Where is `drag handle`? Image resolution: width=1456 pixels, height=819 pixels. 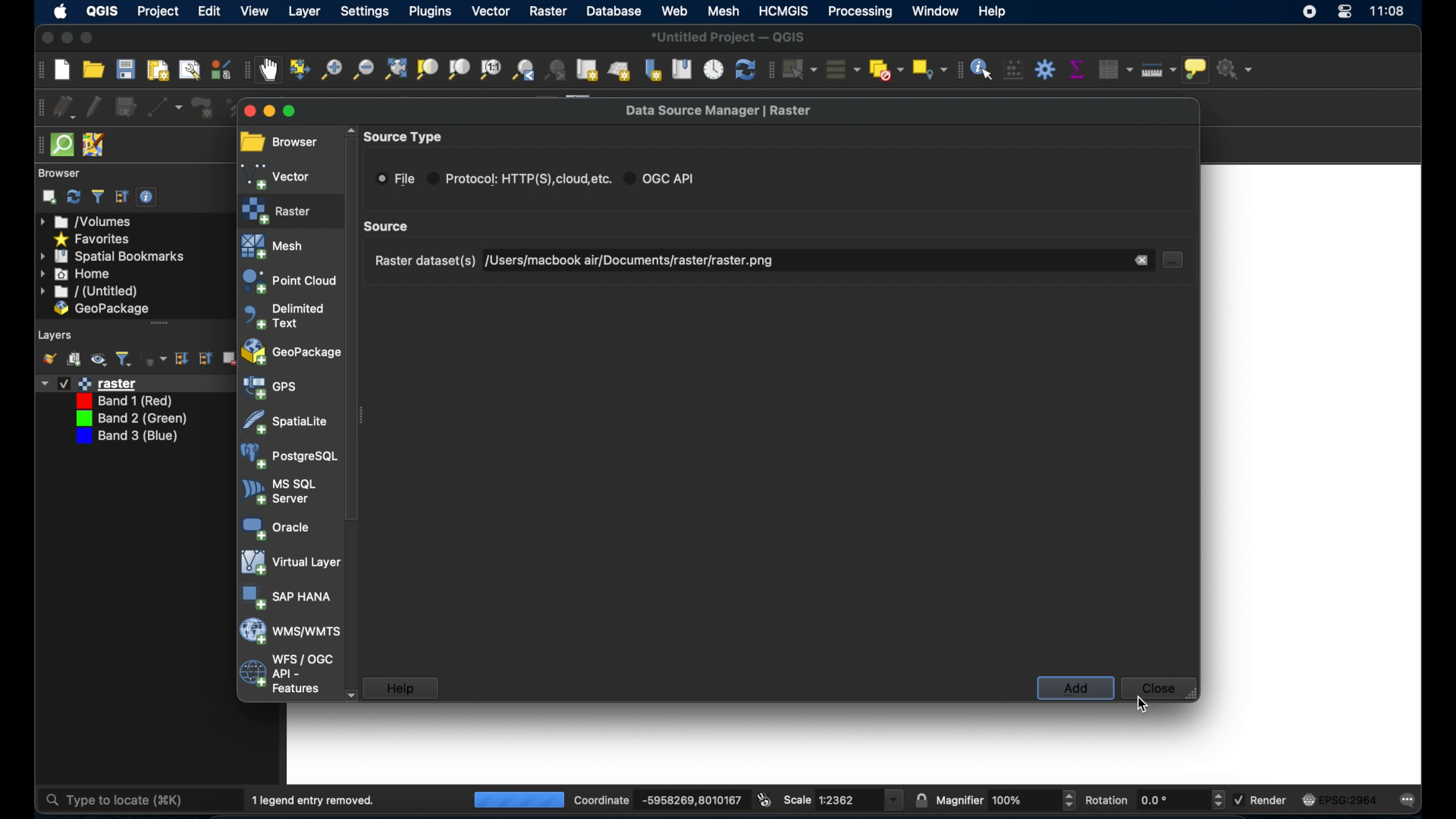 drag handle is located at coordinates (35, 145).